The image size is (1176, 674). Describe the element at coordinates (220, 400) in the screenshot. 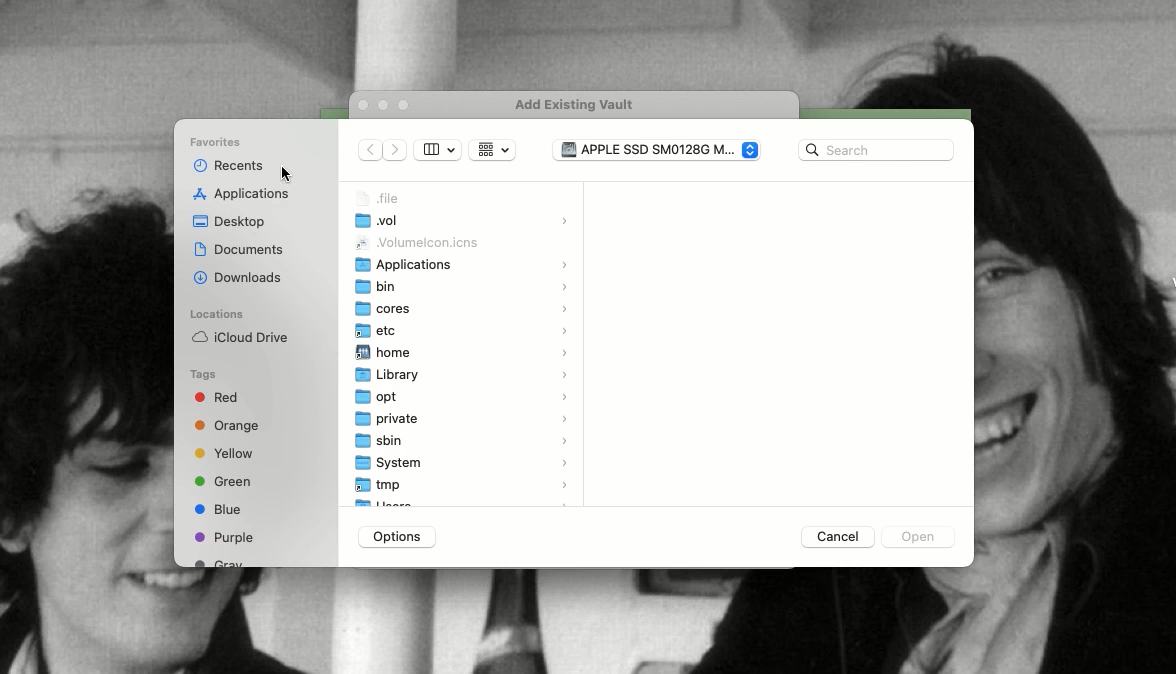

I see `Red` at that location.